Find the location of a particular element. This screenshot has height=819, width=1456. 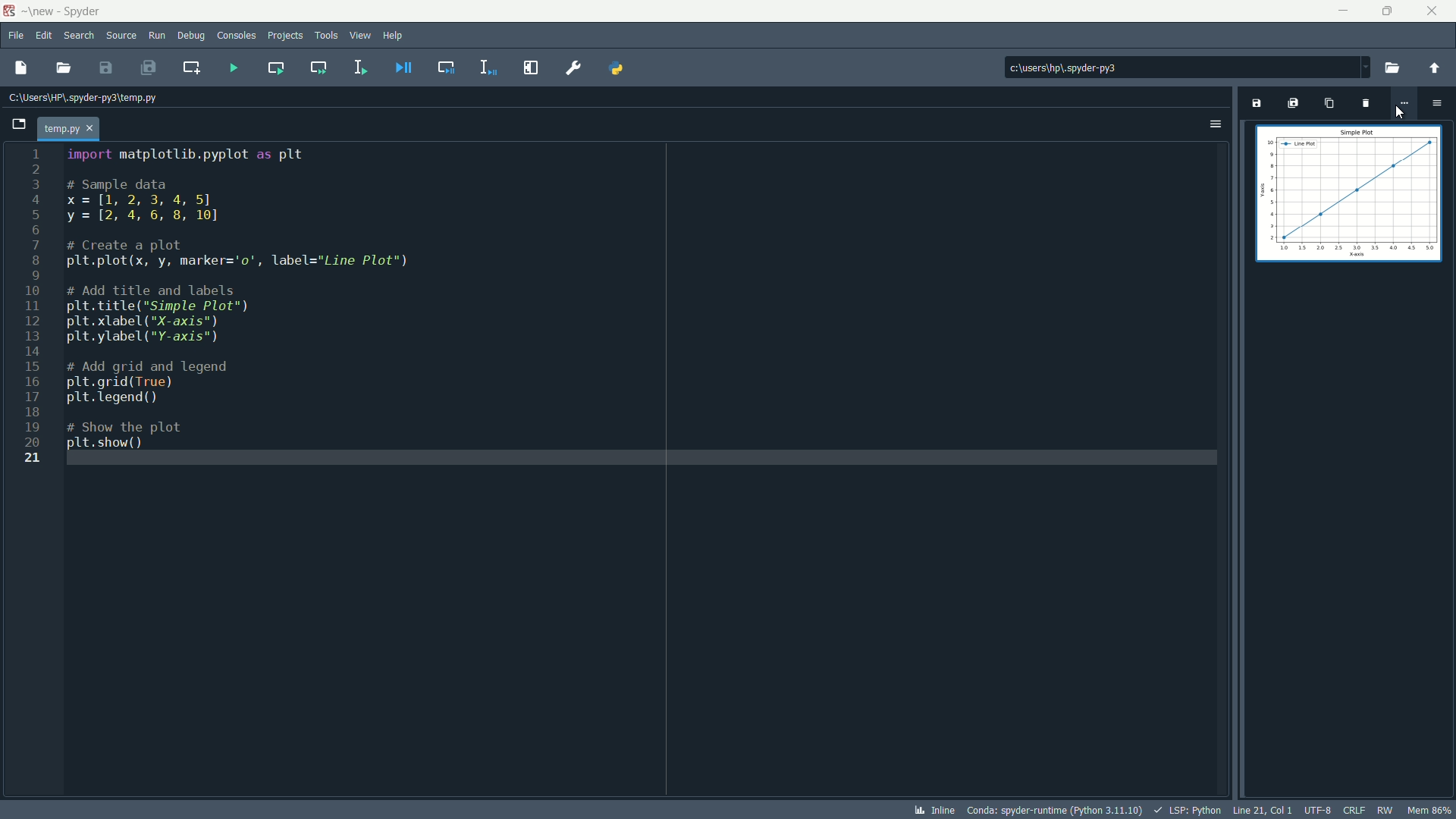

run selection or current line is located at coordinates (359, 67).